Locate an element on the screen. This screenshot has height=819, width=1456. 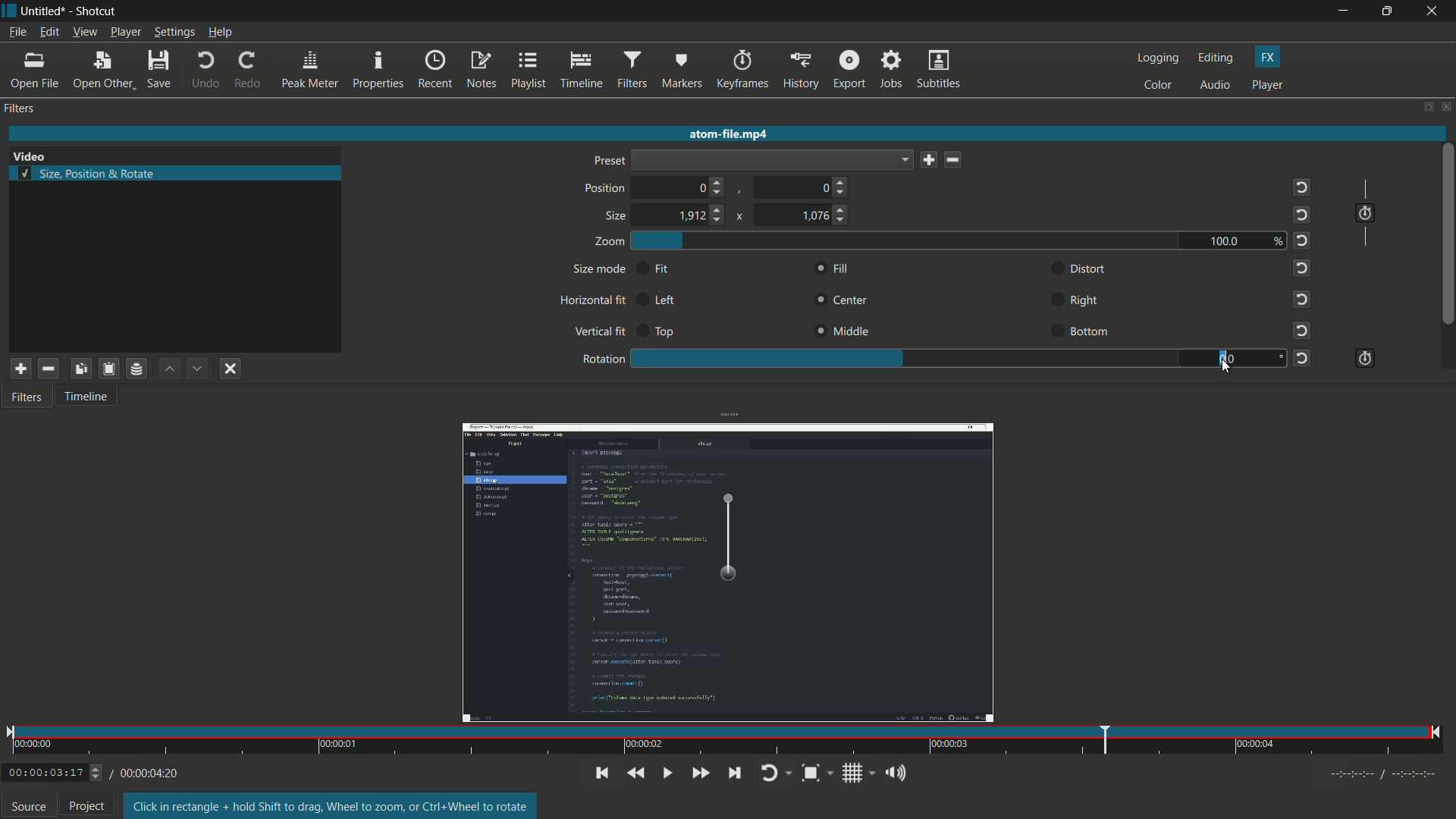
minimize is located at coordinates (1344, 11).